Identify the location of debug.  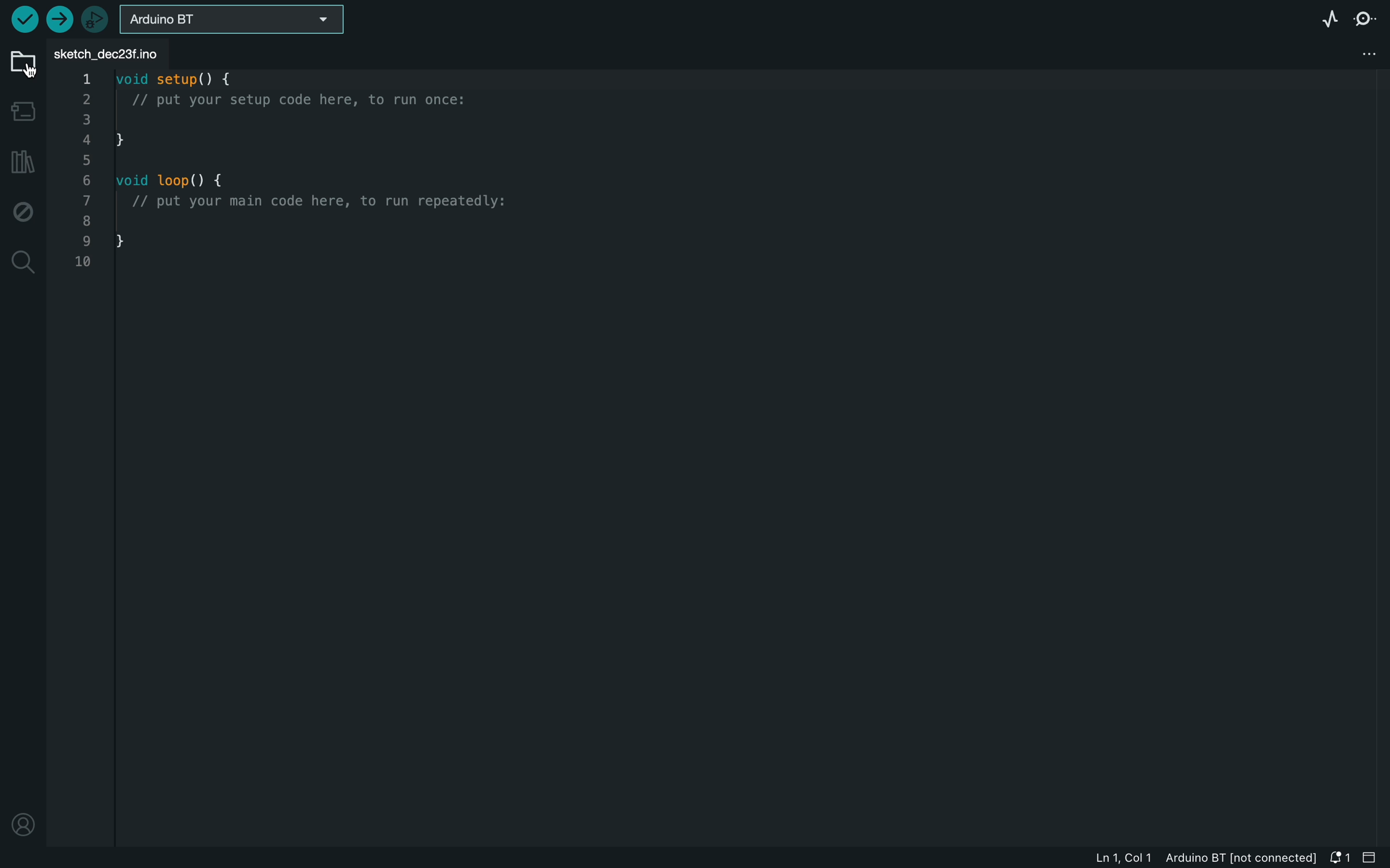
(23, 208).